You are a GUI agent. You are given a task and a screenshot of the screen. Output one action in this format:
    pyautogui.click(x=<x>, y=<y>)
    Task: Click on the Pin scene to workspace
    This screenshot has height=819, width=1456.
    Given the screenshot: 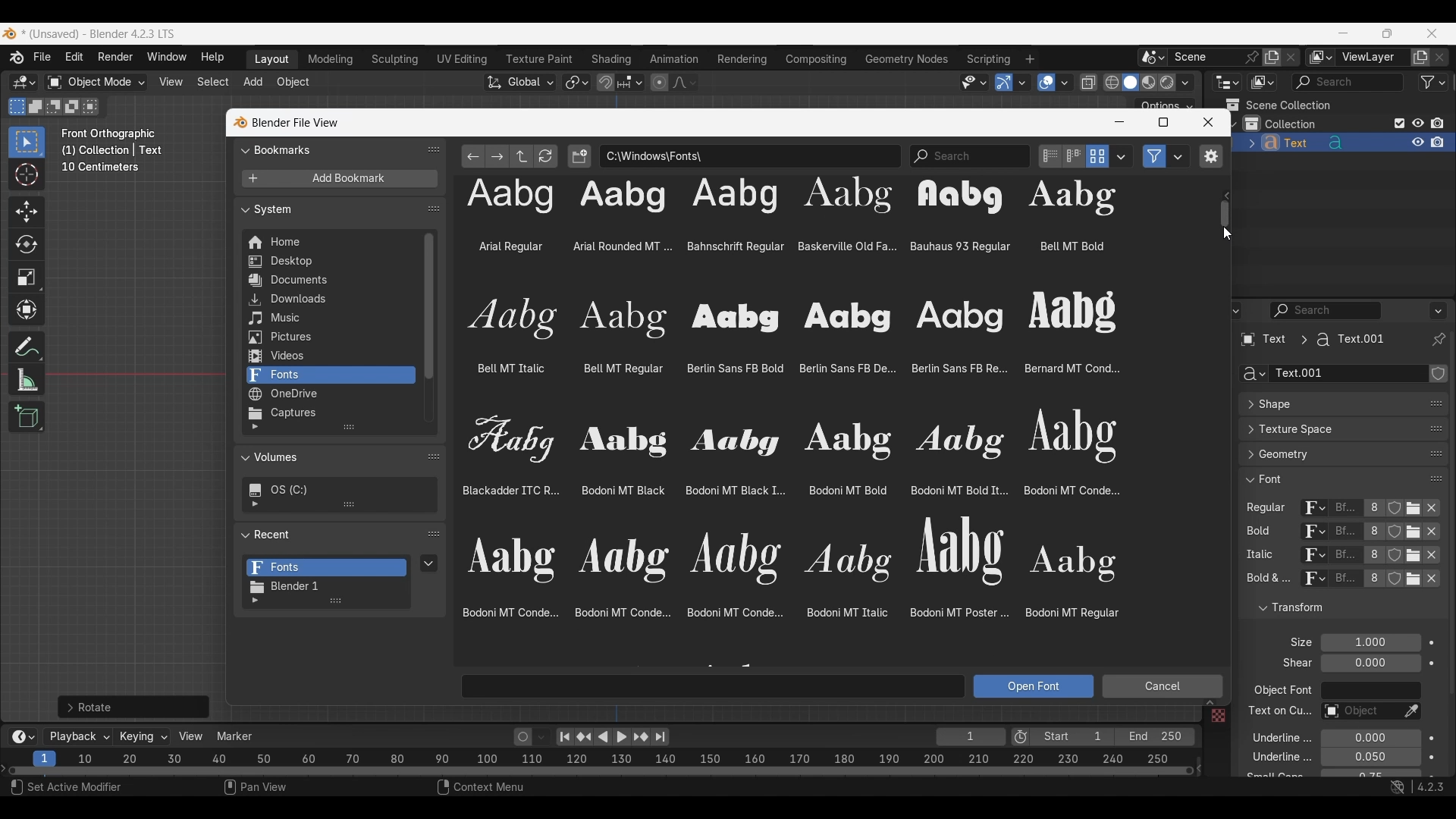 What is the action you would take?
    pyautogui.click(x=1216, y=57)
    